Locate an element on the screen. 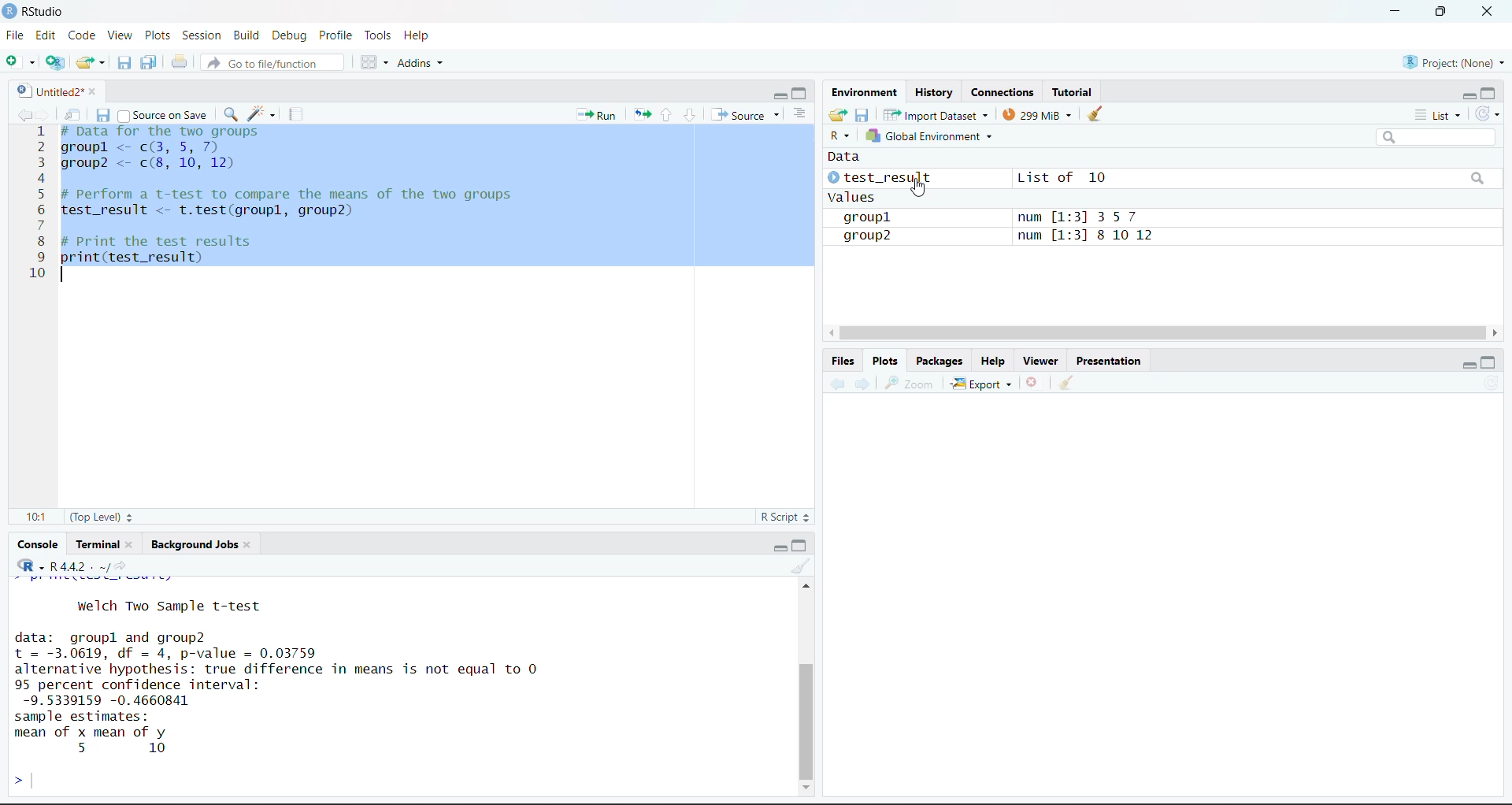 Image resolution: width=1512 pixels, height=805 pixels. num [1:3] 357 is located at coordinates (1095, 217).